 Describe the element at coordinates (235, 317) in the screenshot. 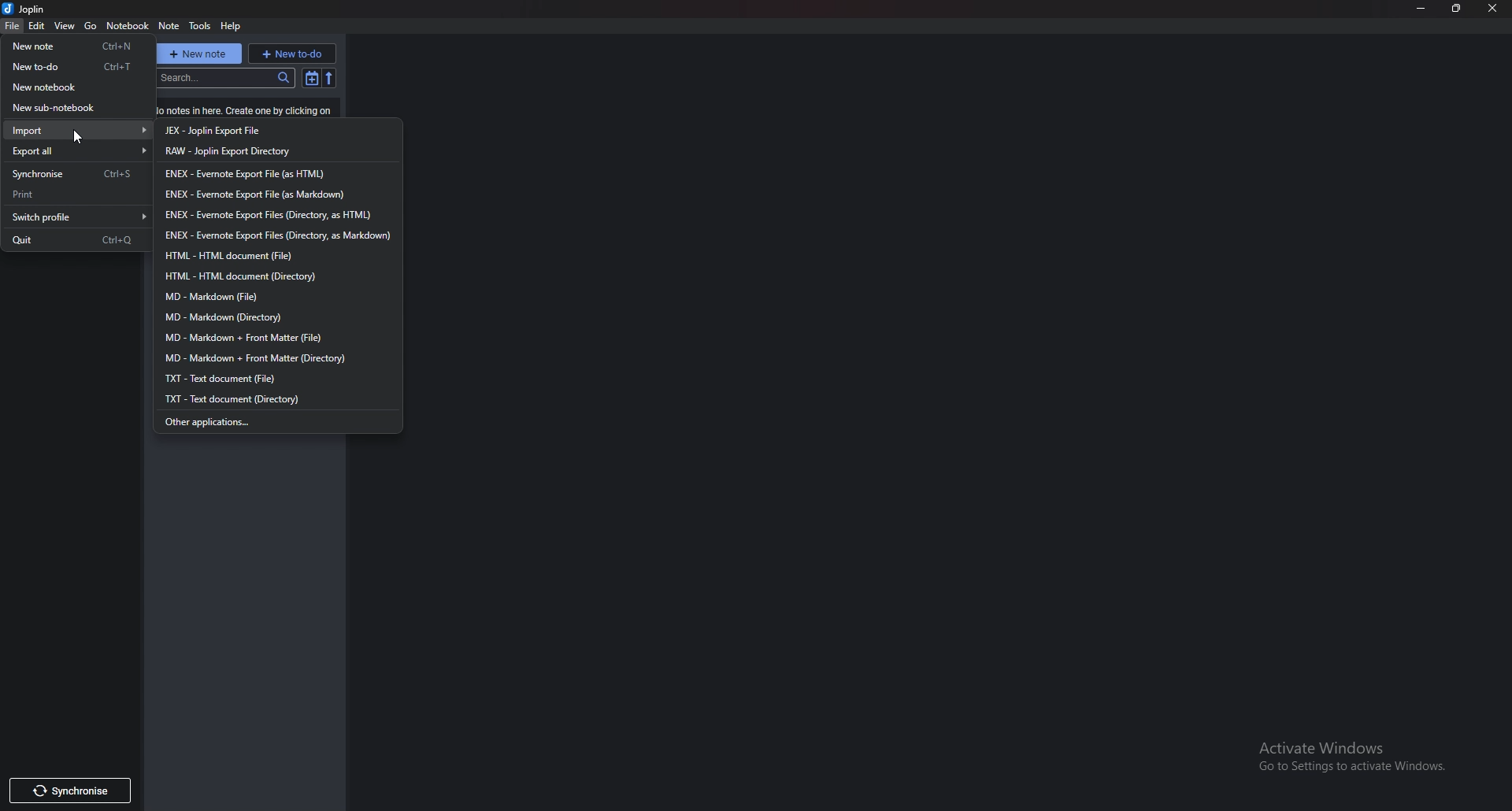

I see `markdown directory` at that location.